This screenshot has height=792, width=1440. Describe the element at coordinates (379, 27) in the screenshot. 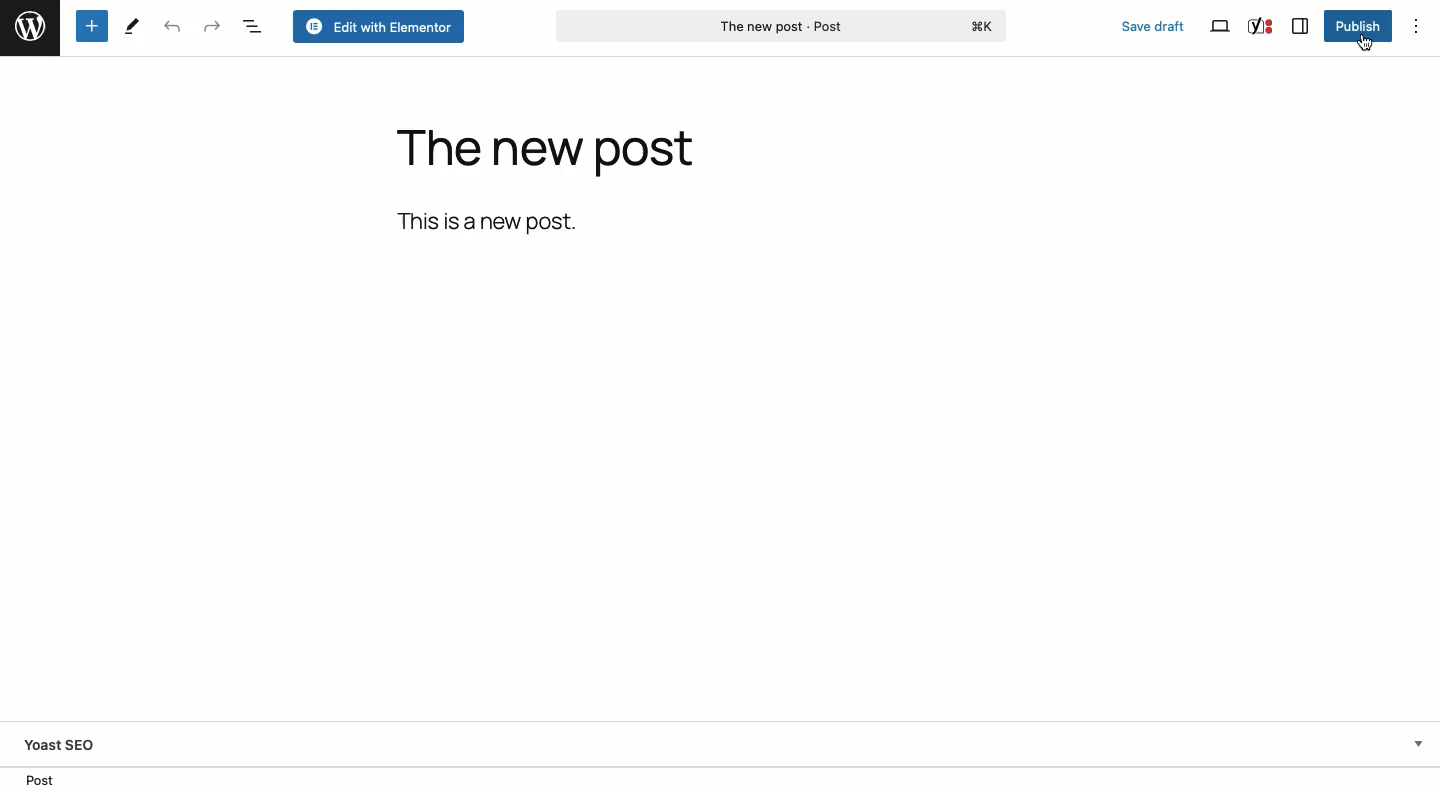

I see `Edit with elementor` at that location.